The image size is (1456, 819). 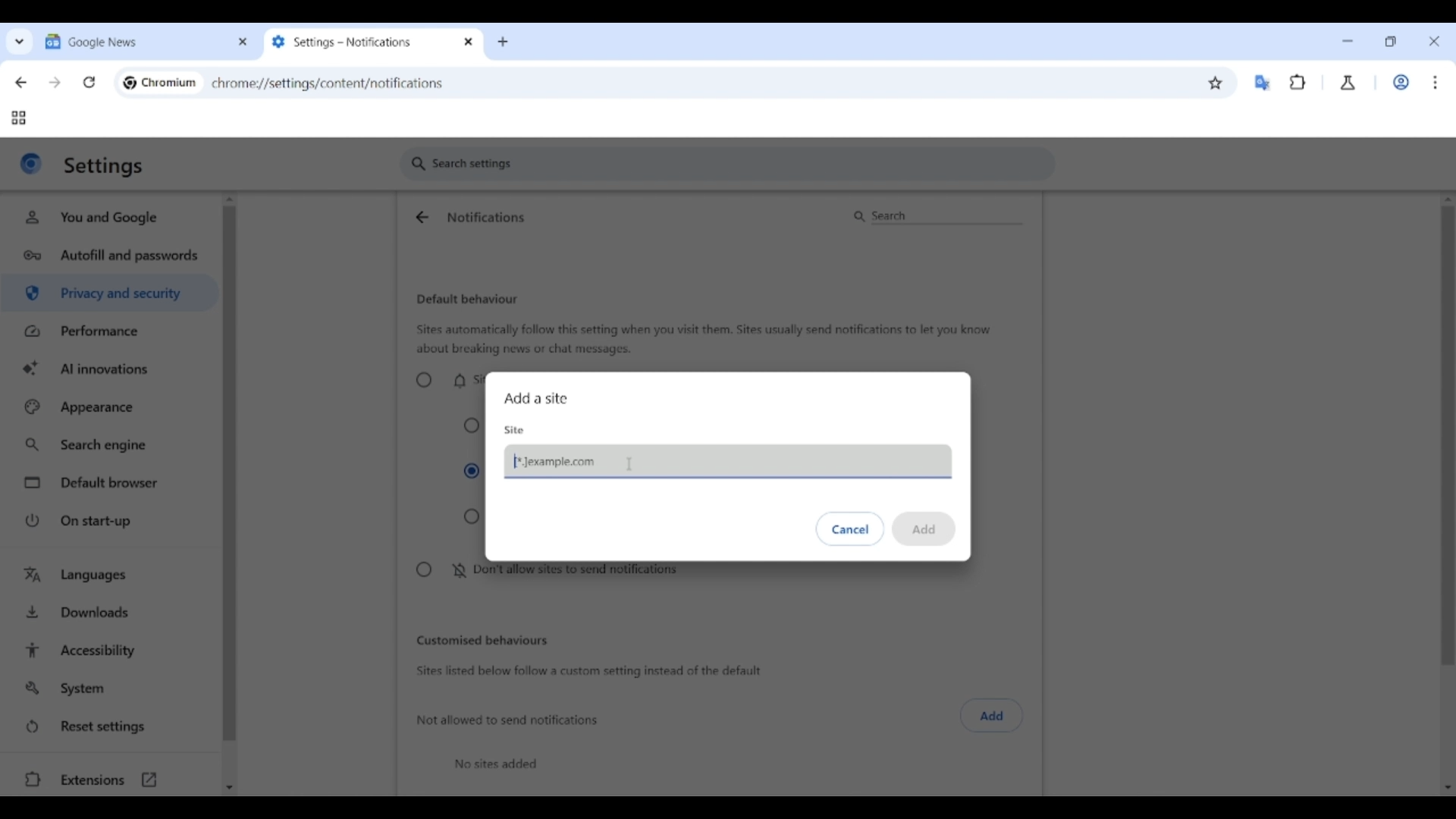 What do you see at coordinates (111, 610) in the screenshot?
I see `Downloads` at bounding box center [111, 610].